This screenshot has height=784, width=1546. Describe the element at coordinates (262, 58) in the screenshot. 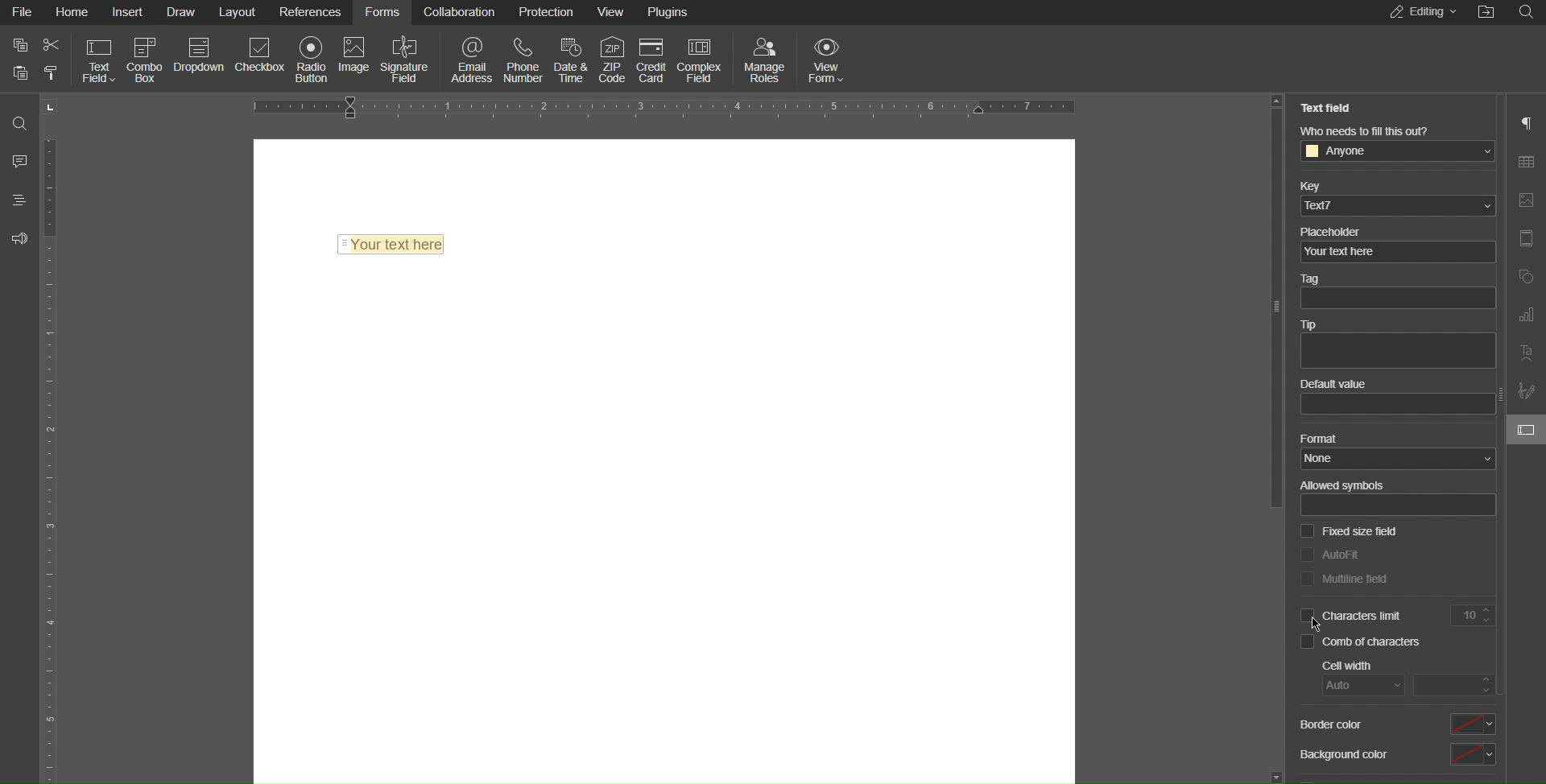

I see `Checkbox` at that location.